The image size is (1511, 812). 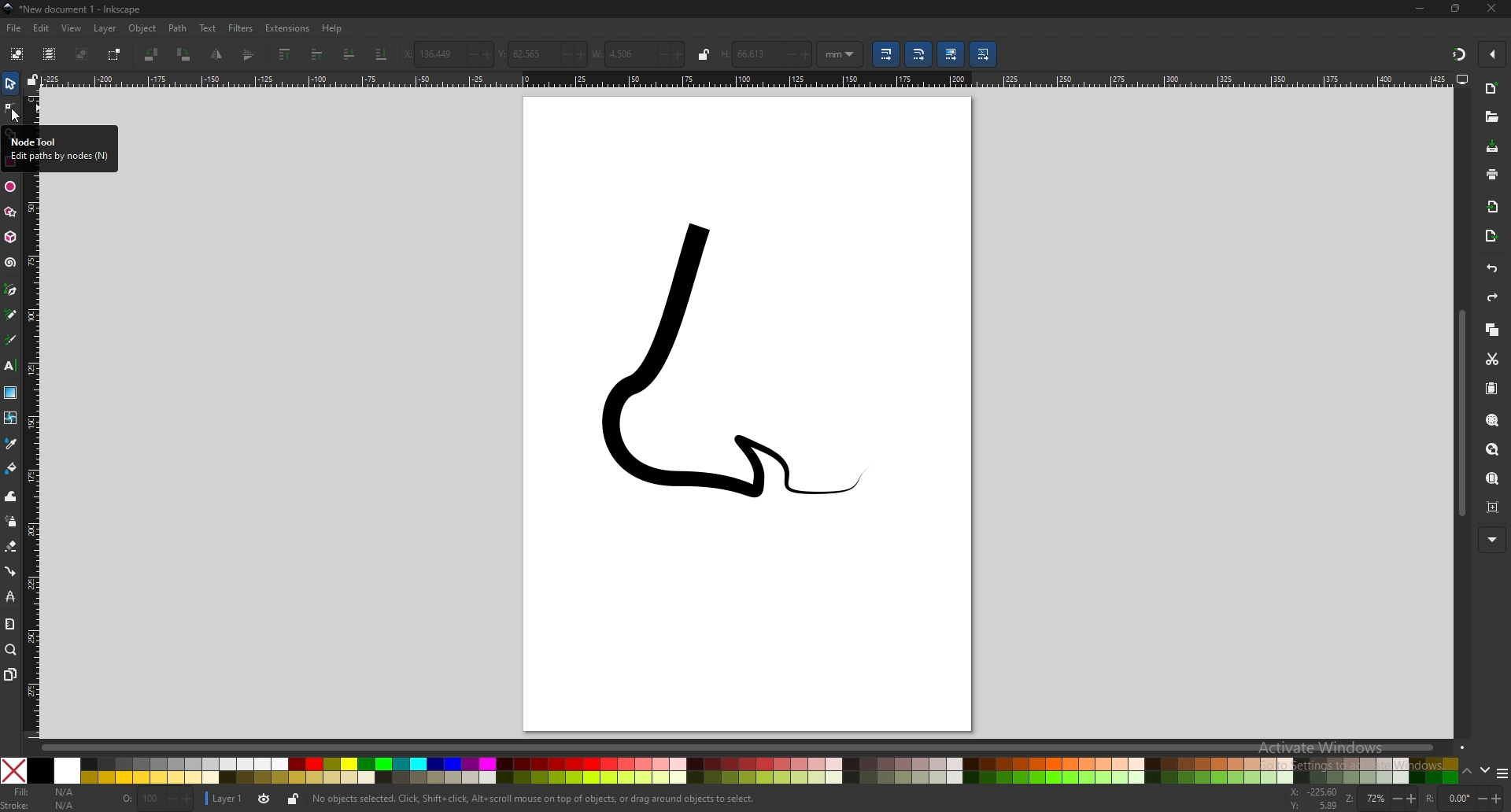 I want to click on raise selection one step, so click(x=319, y=55).